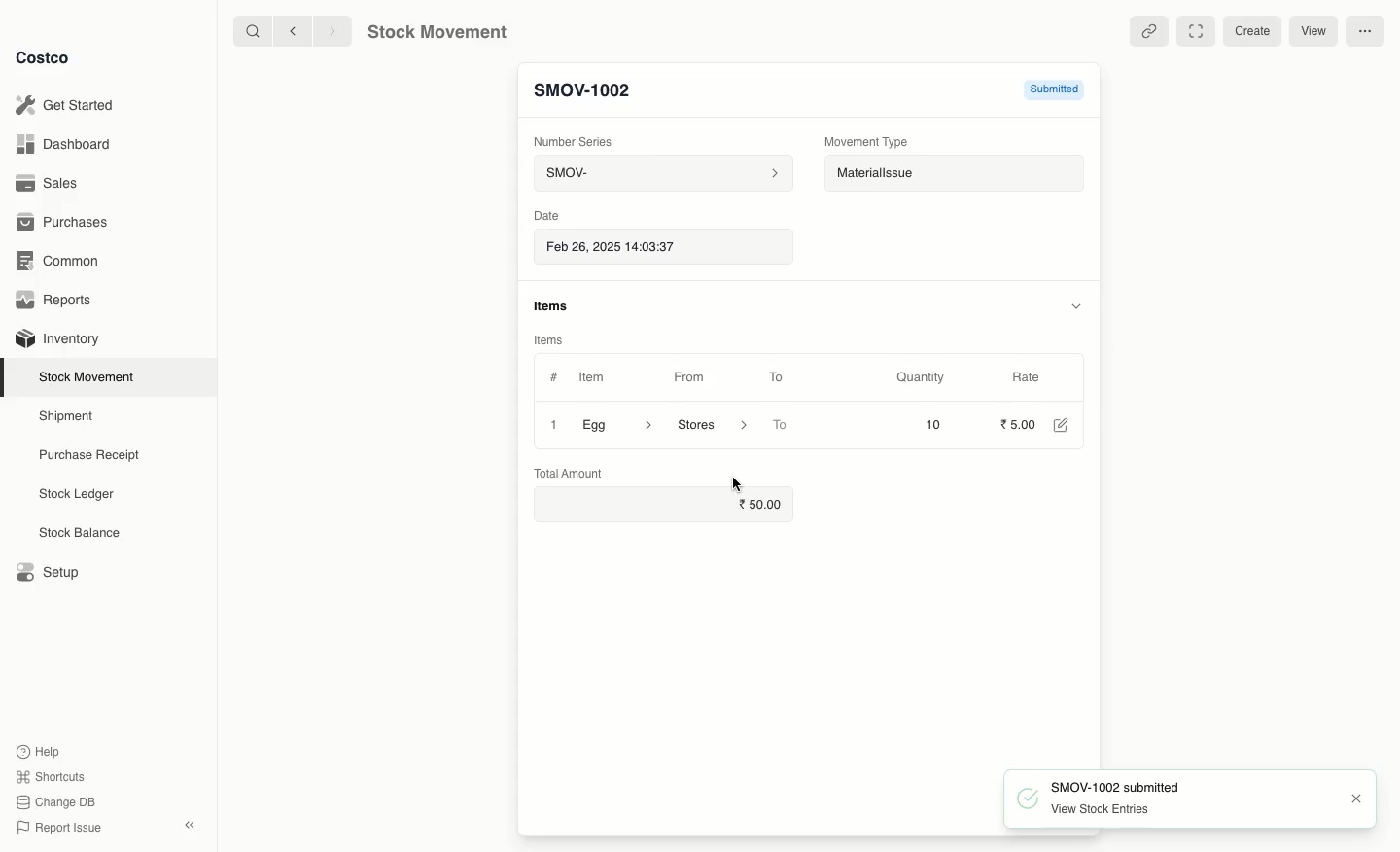  What do you see at coordinates (662, 248) in the screenshot?
I see `Feb 26, 2025 14:03:37` at bounding box center [662, 248].